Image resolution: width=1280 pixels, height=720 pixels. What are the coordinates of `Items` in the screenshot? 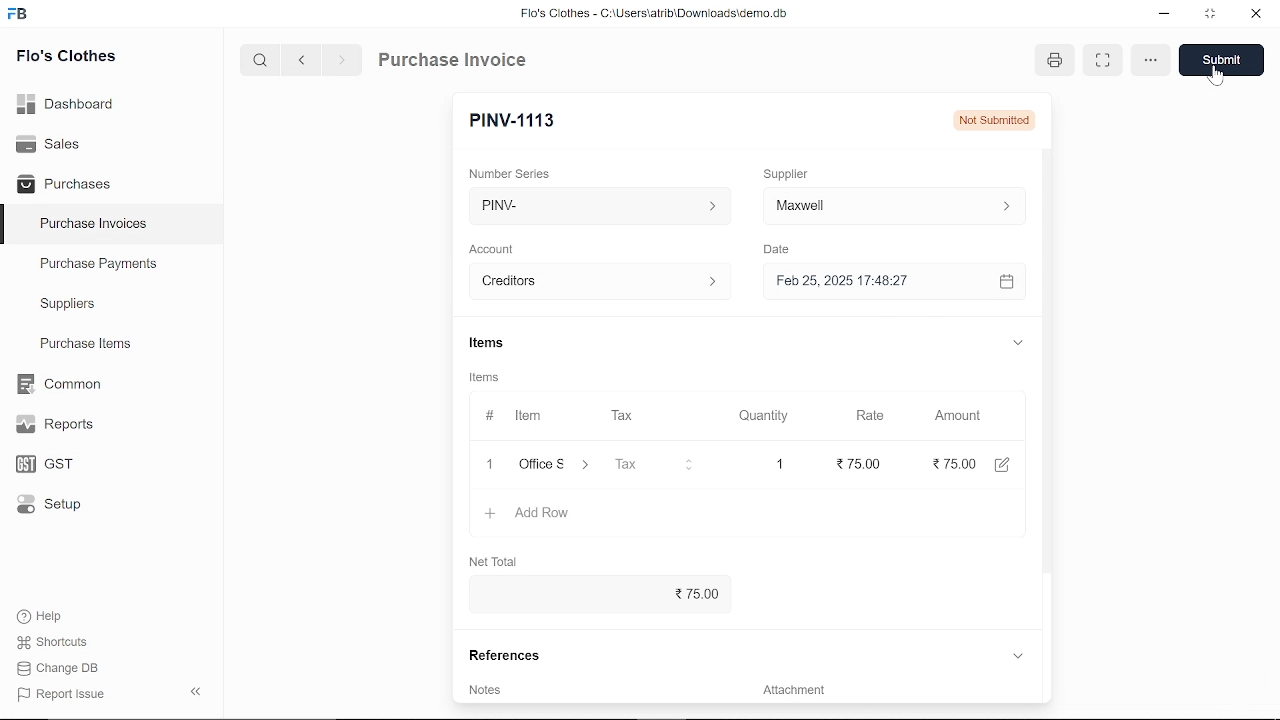 It's located at (502, 343).